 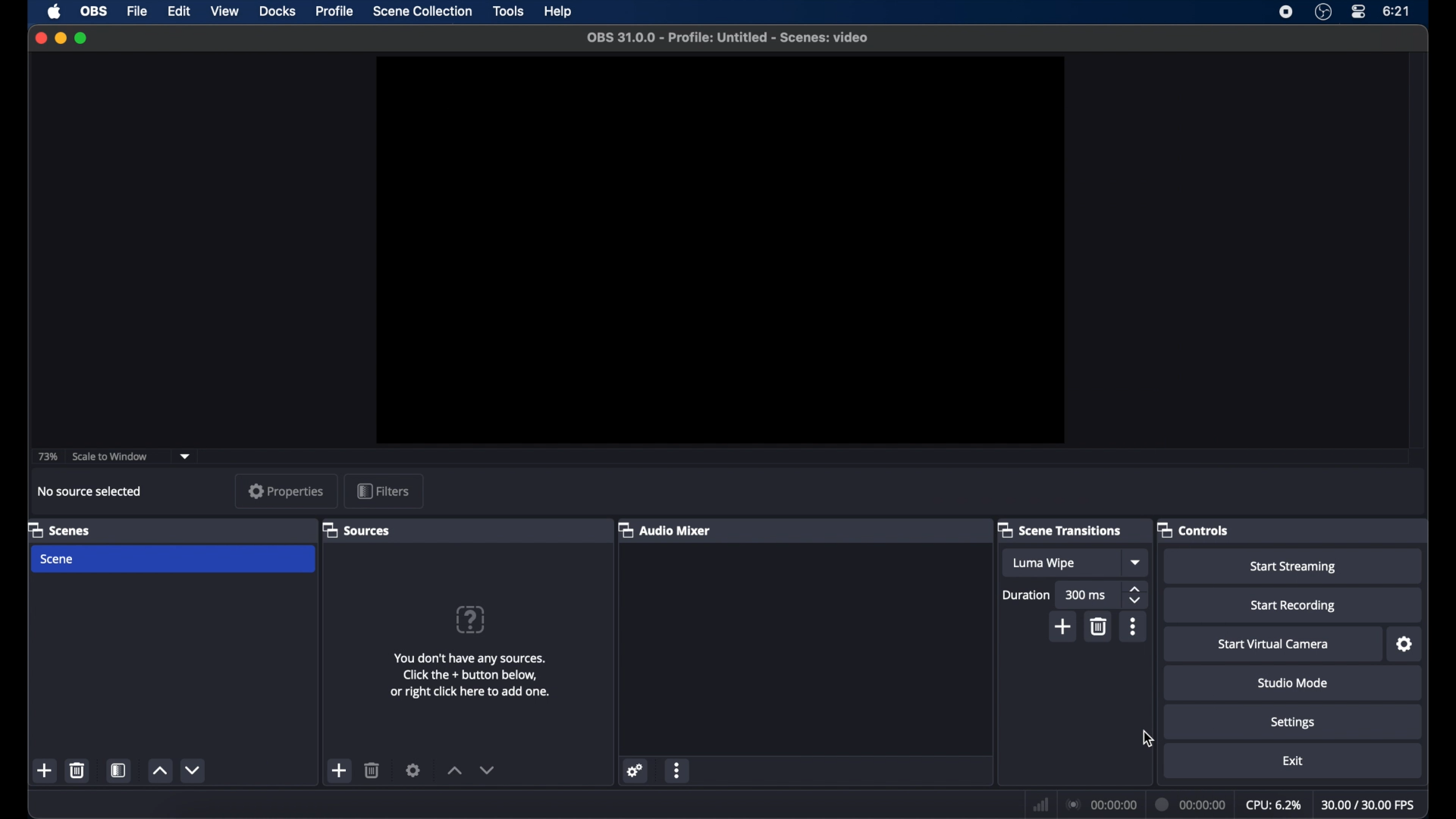 What do you see at coordinates (1273, 645) in the screenshot?
I see `start virtual camera` at bounding box center [1273, 645].